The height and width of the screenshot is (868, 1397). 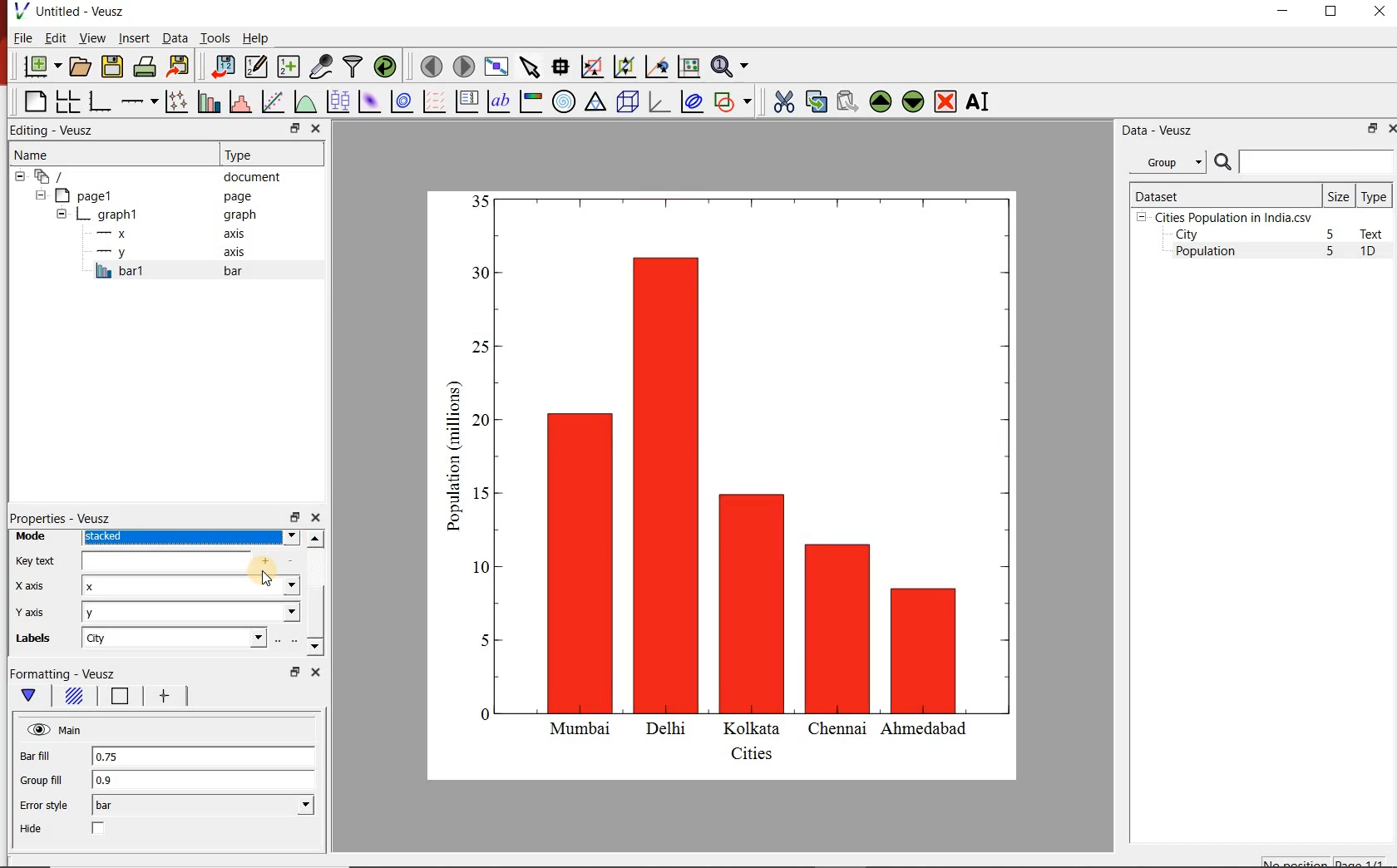 What do you see at coordinates (33, 829) in the screenshot?
I see `Hide` at bounding box center [33, 829].